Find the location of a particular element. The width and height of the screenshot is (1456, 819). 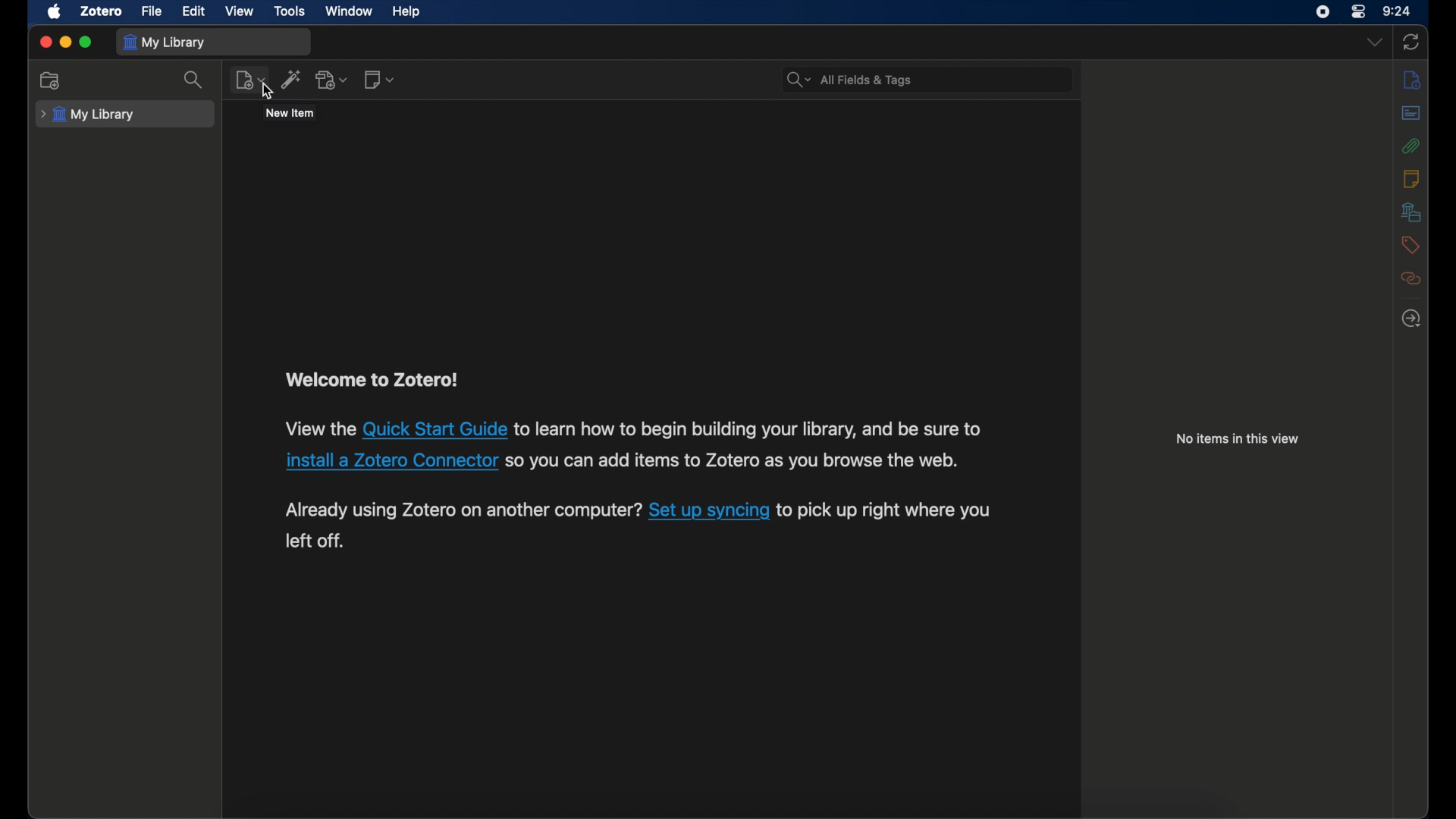

new collection is located at coordinates (50, 80).